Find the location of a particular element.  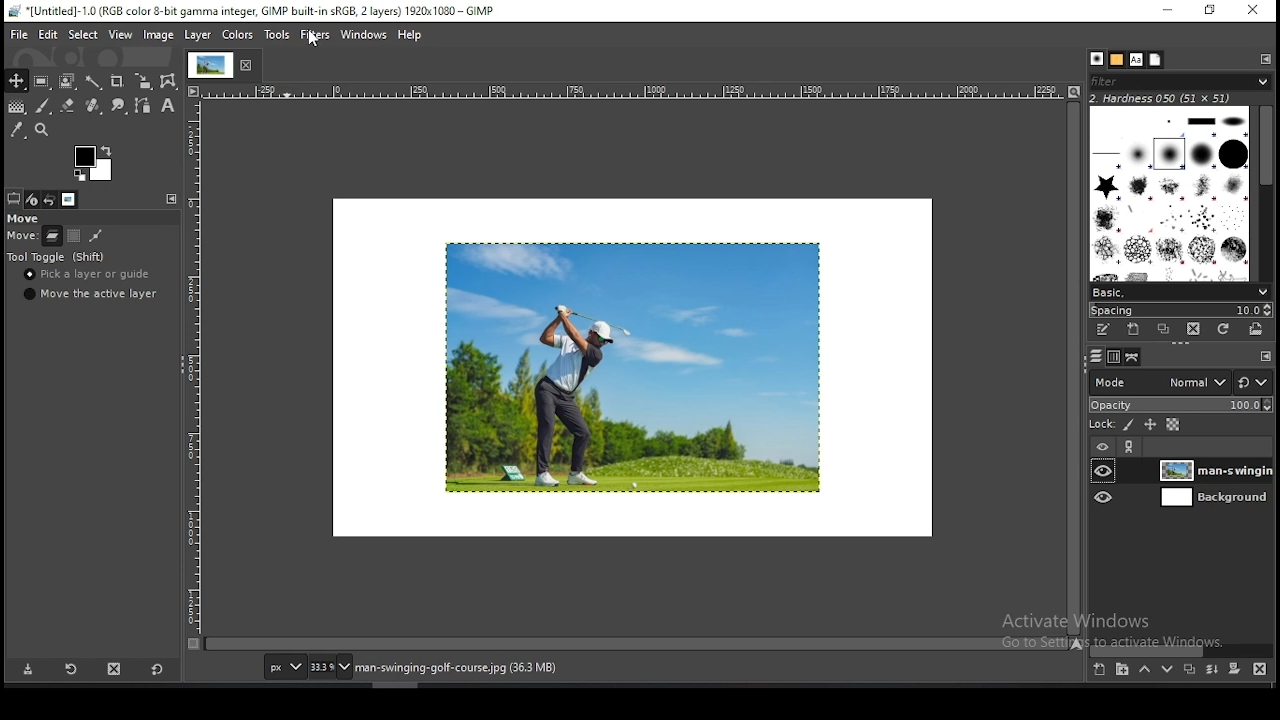

configure this tab is located at coordinates (1267, 355).